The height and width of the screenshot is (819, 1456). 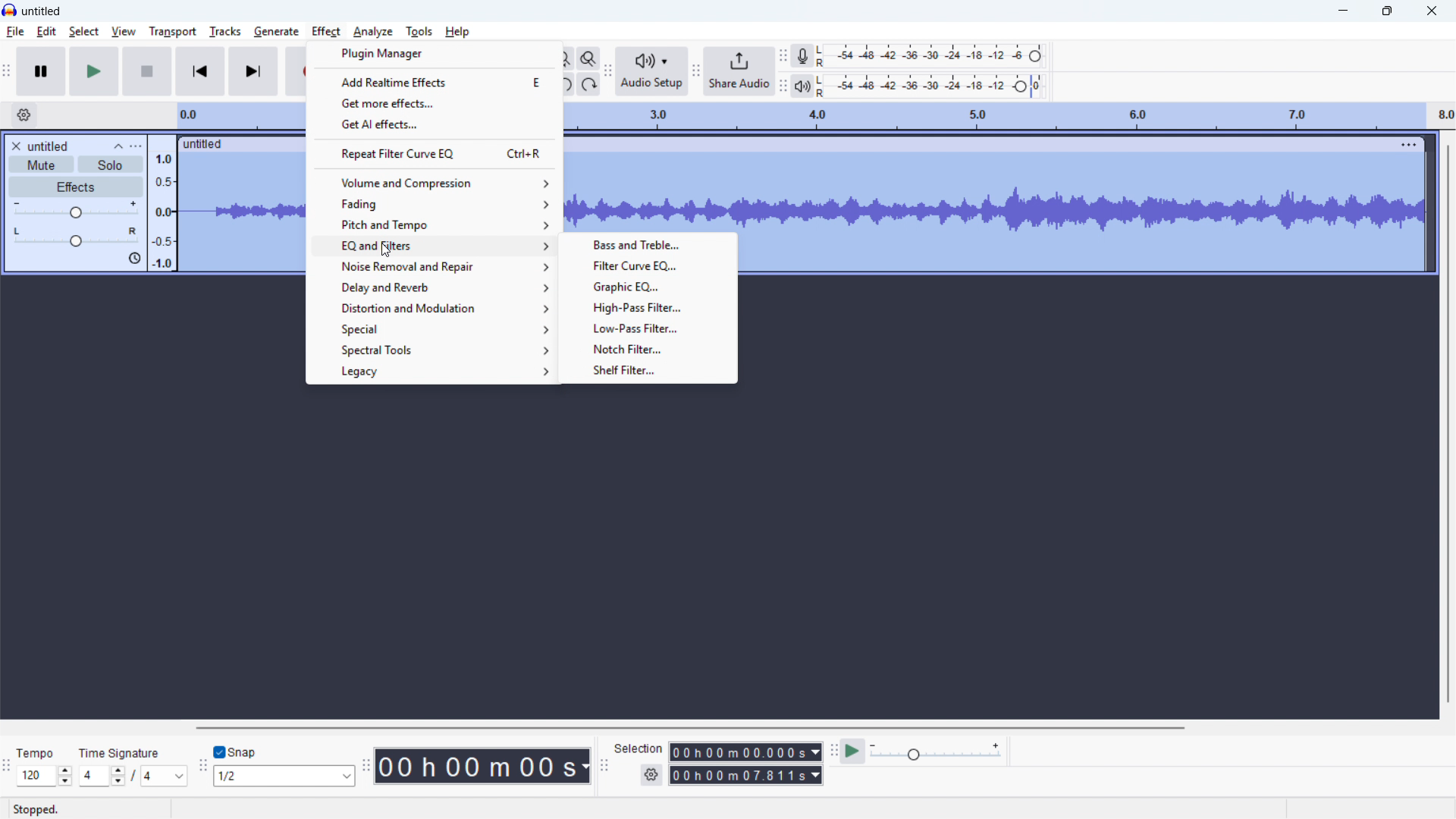 I want to click on Timestamp , so click(x=485, y=766).